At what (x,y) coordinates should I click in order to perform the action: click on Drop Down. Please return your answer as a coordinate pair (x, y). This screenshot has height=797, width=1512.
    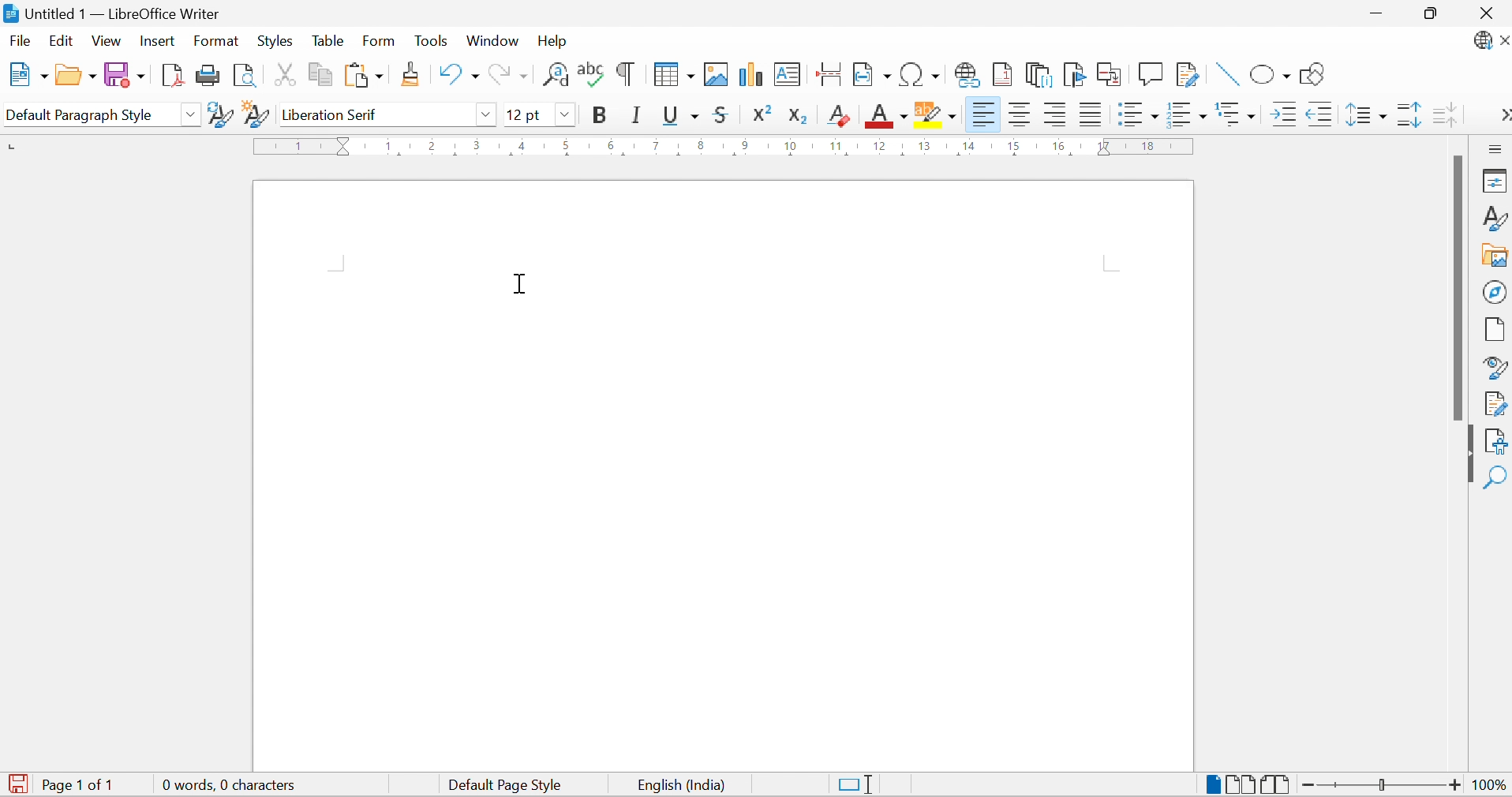
    Looking at the image, I should click on (192, 114).